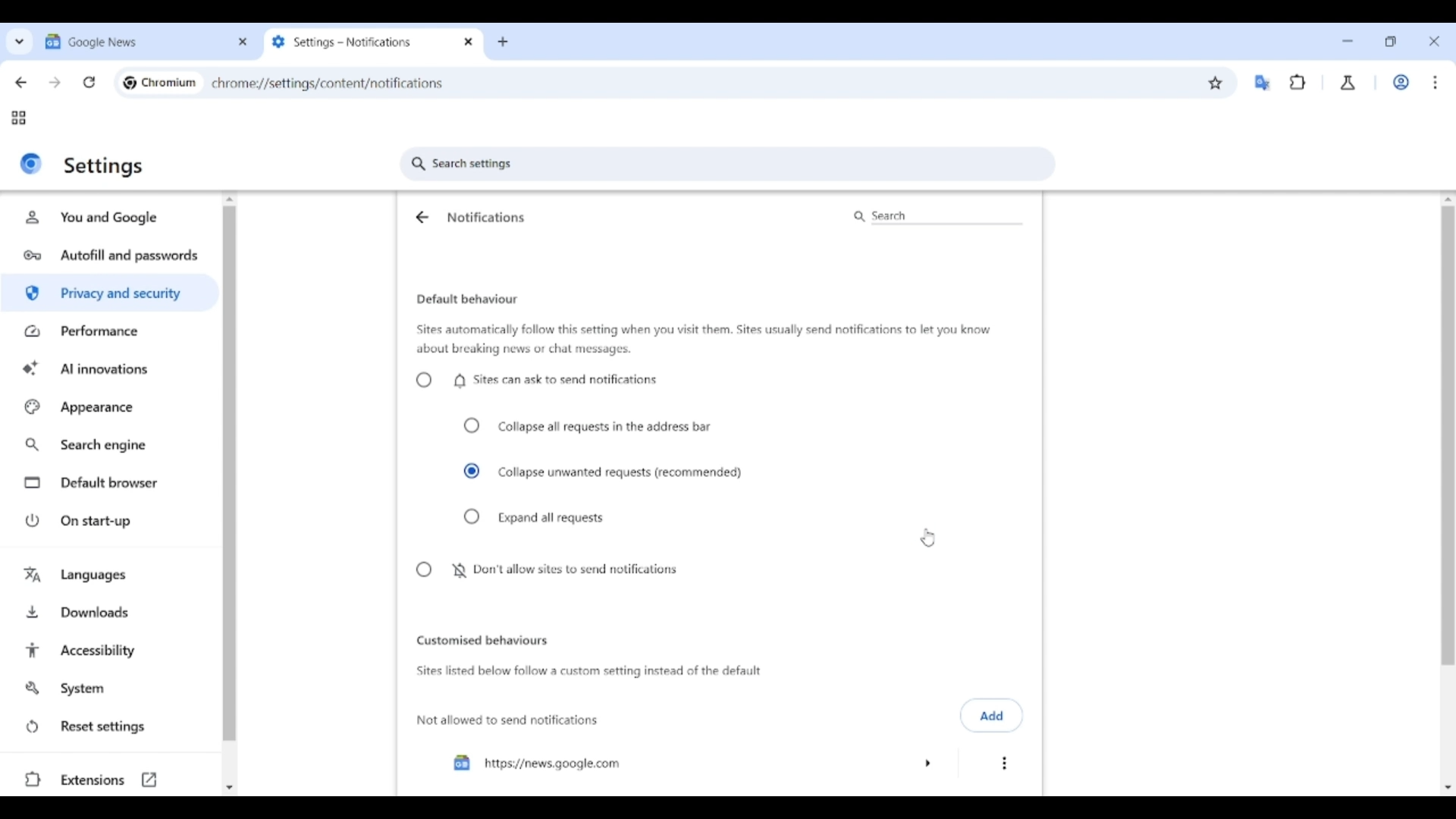 Image resolution: width=1456 pixels, height=819 pixels. I want to click on Default behaviour, so click(467, 300).